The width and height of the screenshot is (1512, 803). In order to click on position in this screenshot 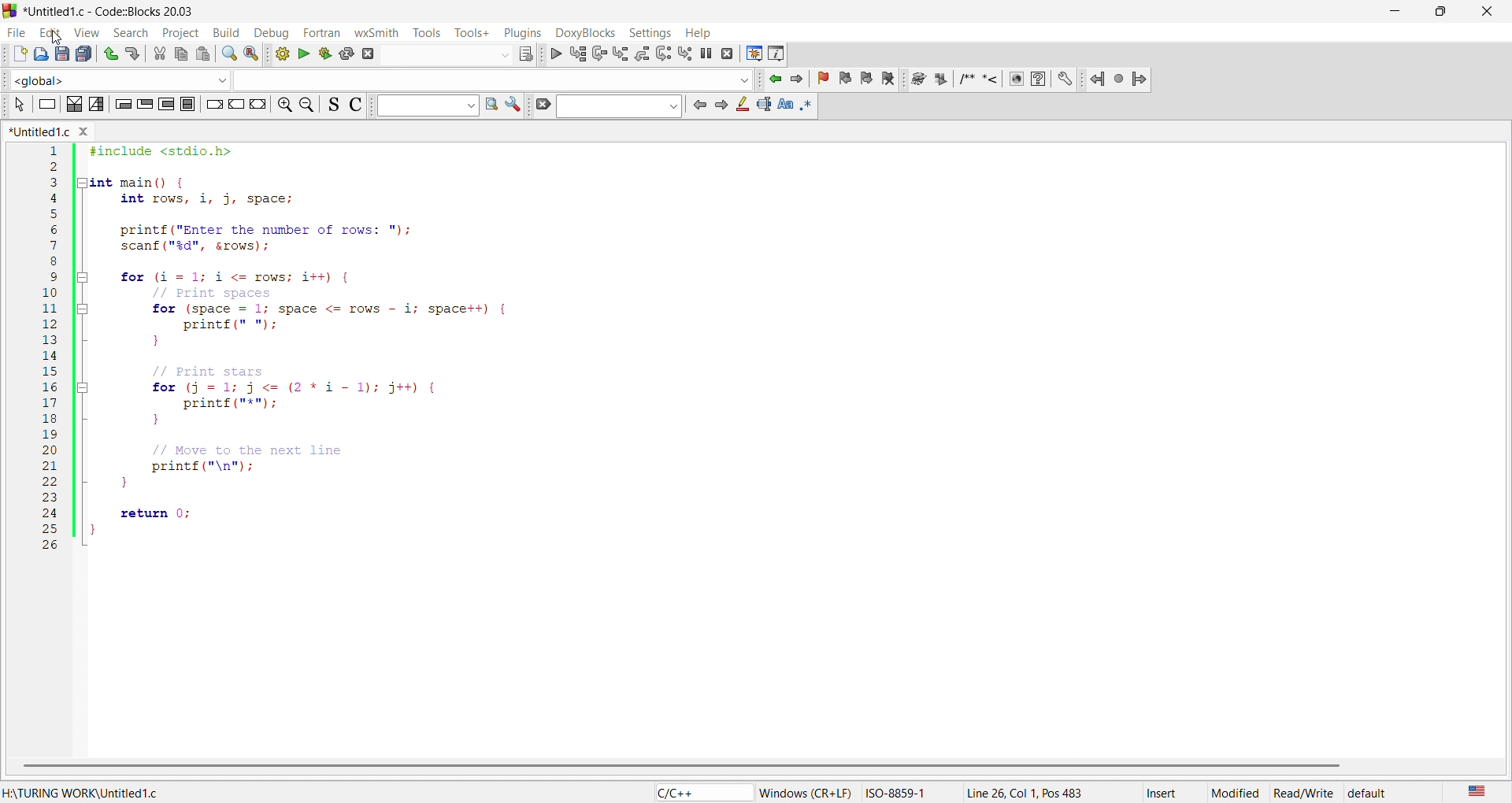, I will do `click(1039, 791)`.